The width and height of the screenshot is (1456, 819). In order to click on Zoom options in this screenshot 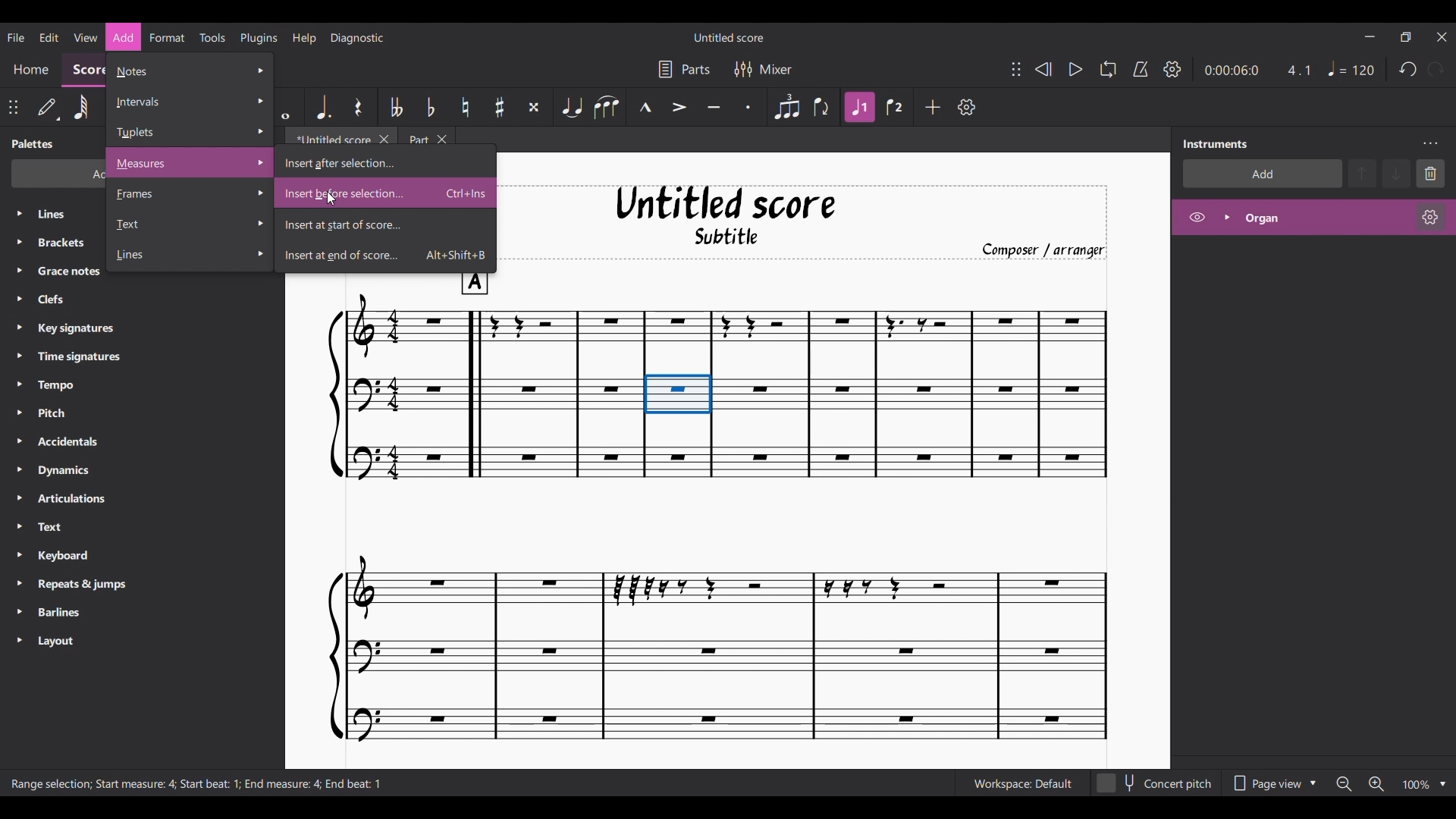, I will do `click(1443, 784)`.